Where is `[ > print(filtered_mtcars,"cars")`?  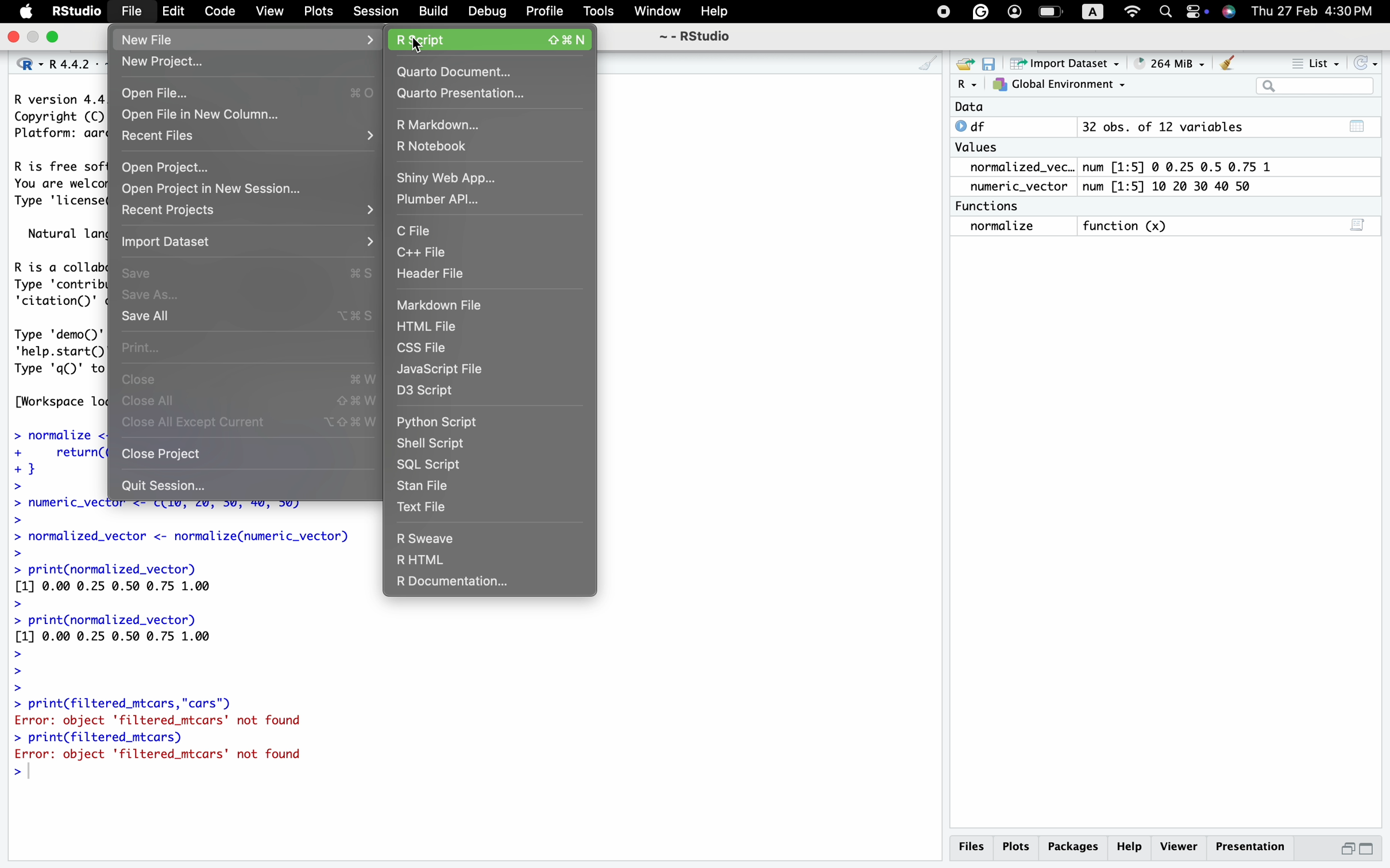 [ > print(filtered_mtcars,"cars") is located at coordinates (123, 704).